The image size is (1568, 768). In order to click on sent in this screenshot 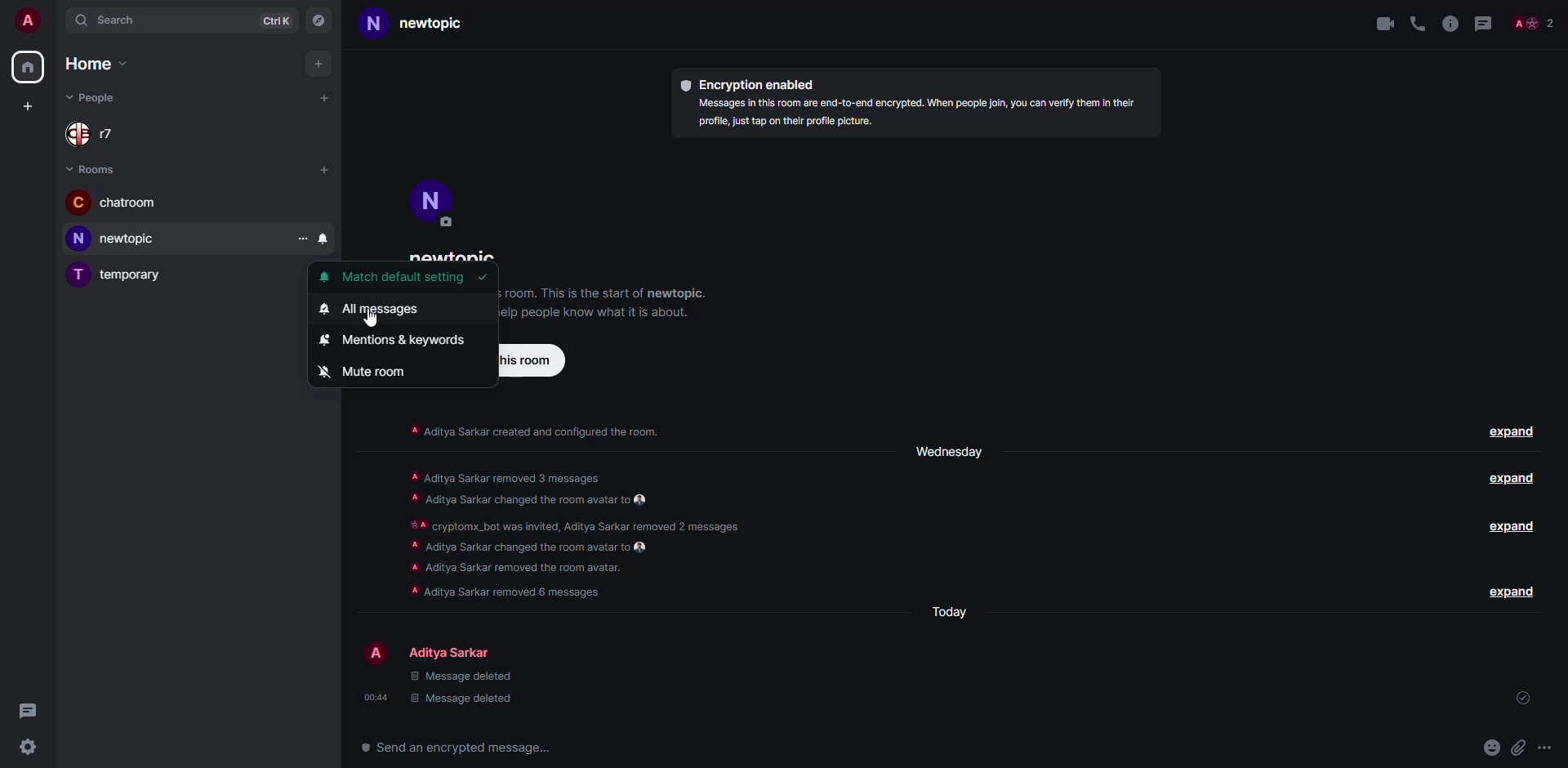, I will do `click(1525, 695)`.